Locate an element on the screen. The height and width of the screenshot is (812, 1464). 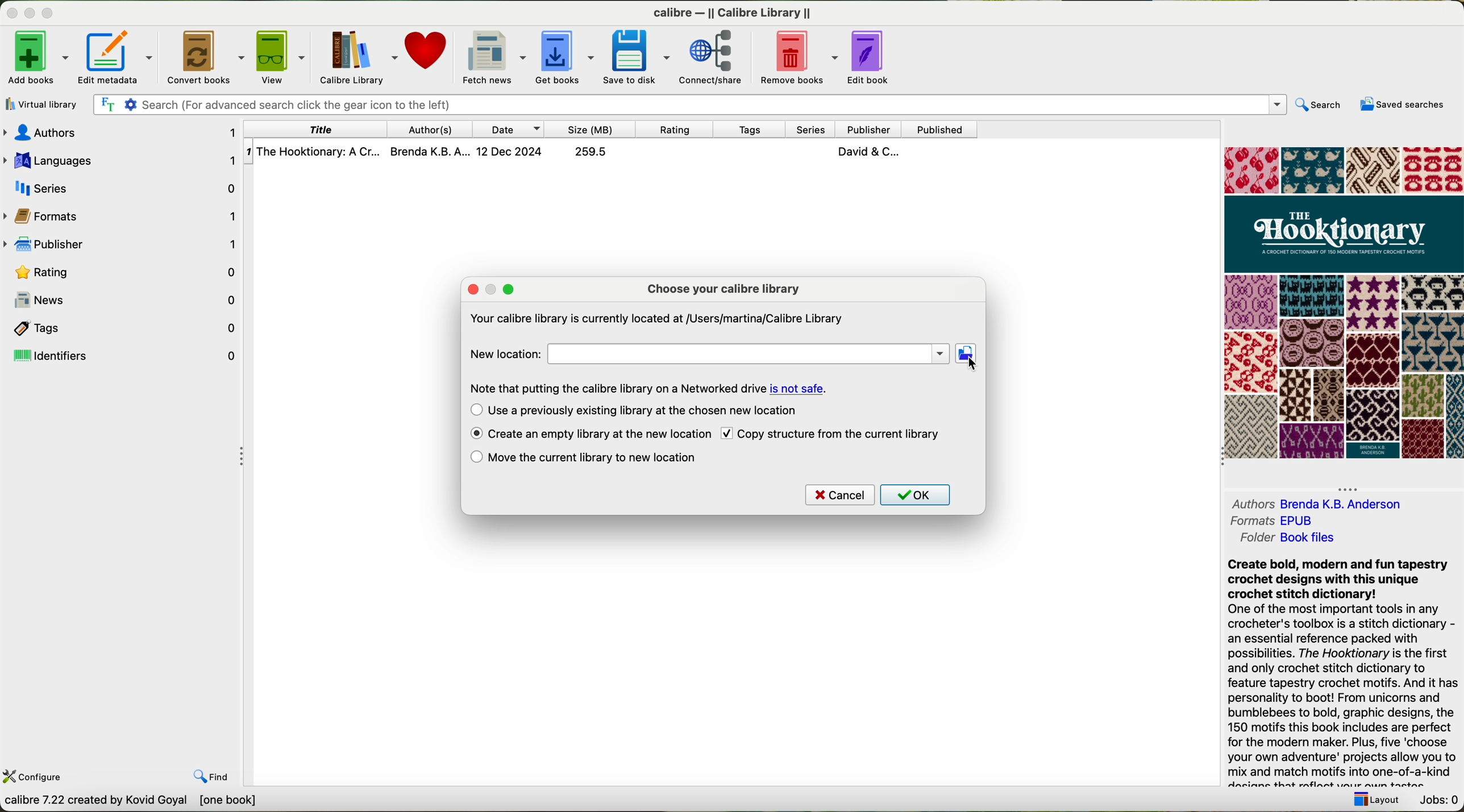
Note that putting the calibre library on a Networked drive is not safe. is located at coordinates (647, 386).